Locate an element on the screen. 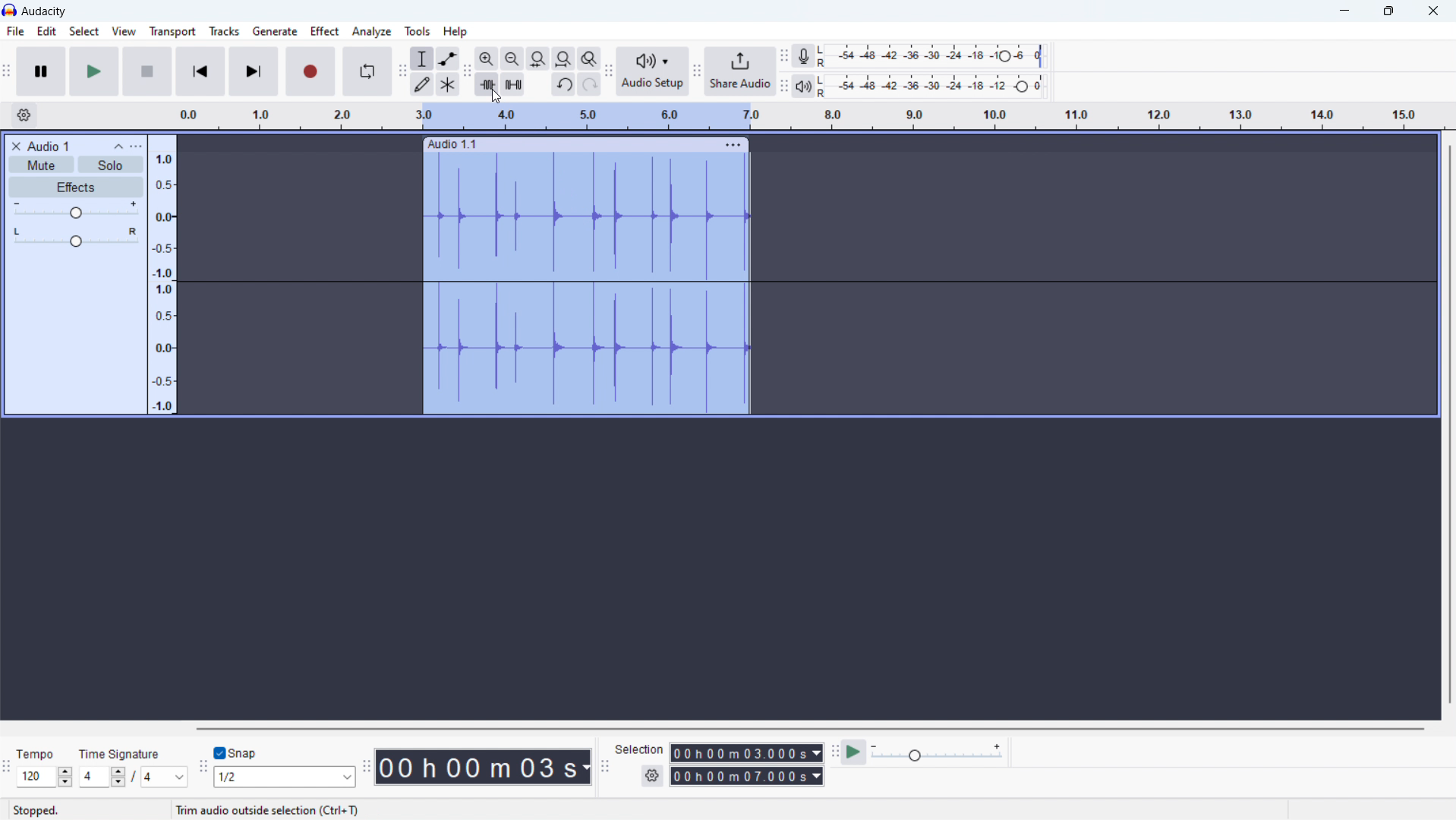  help is located at coordinates (455, 32).